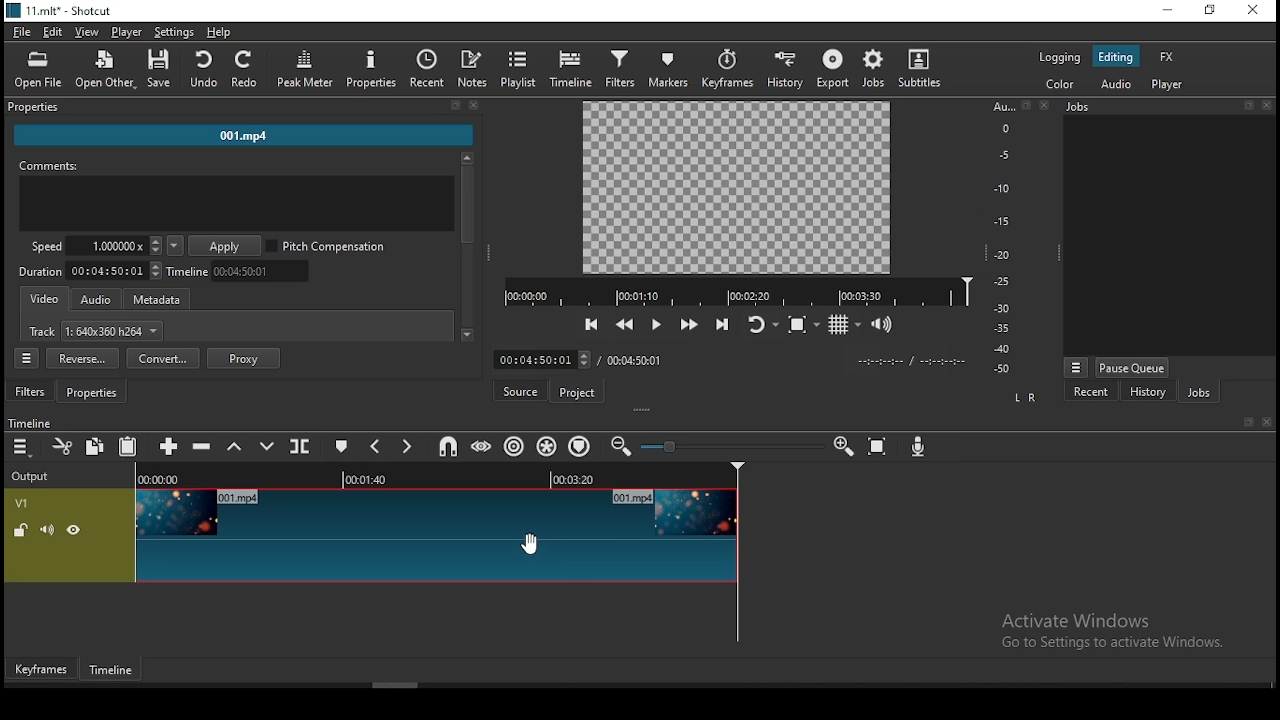  What do you see at coordinates (174, 247) in the screenshot?
I see `playback speed presets` at bounding box center [174, 247].